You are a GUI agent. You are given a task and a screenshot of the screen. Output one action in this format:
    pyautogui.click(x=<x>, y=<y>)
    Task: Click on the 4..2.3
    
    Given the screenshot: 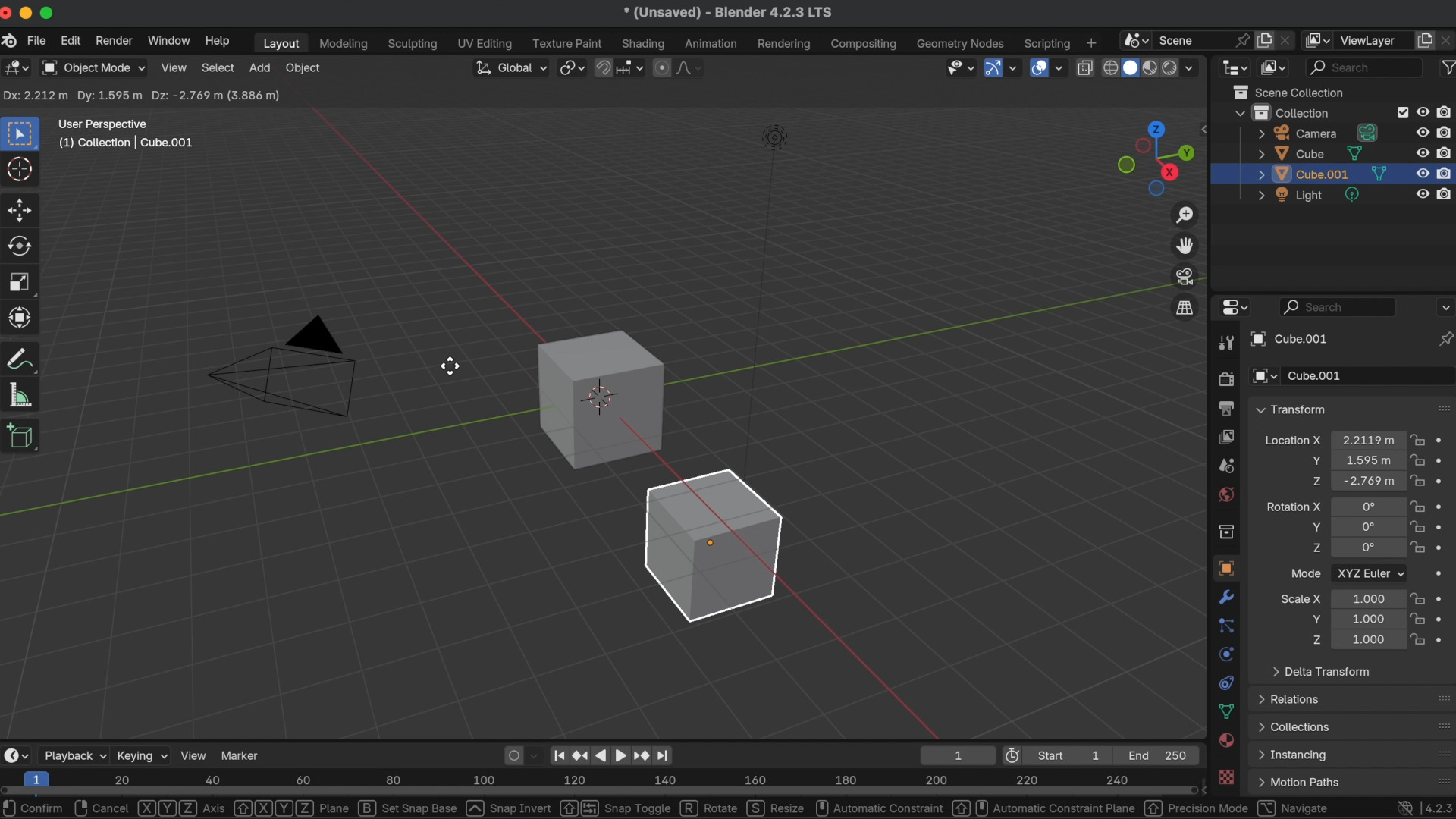 What is the action you would take?
    pyautogui.click(x=1438, y=805)
    